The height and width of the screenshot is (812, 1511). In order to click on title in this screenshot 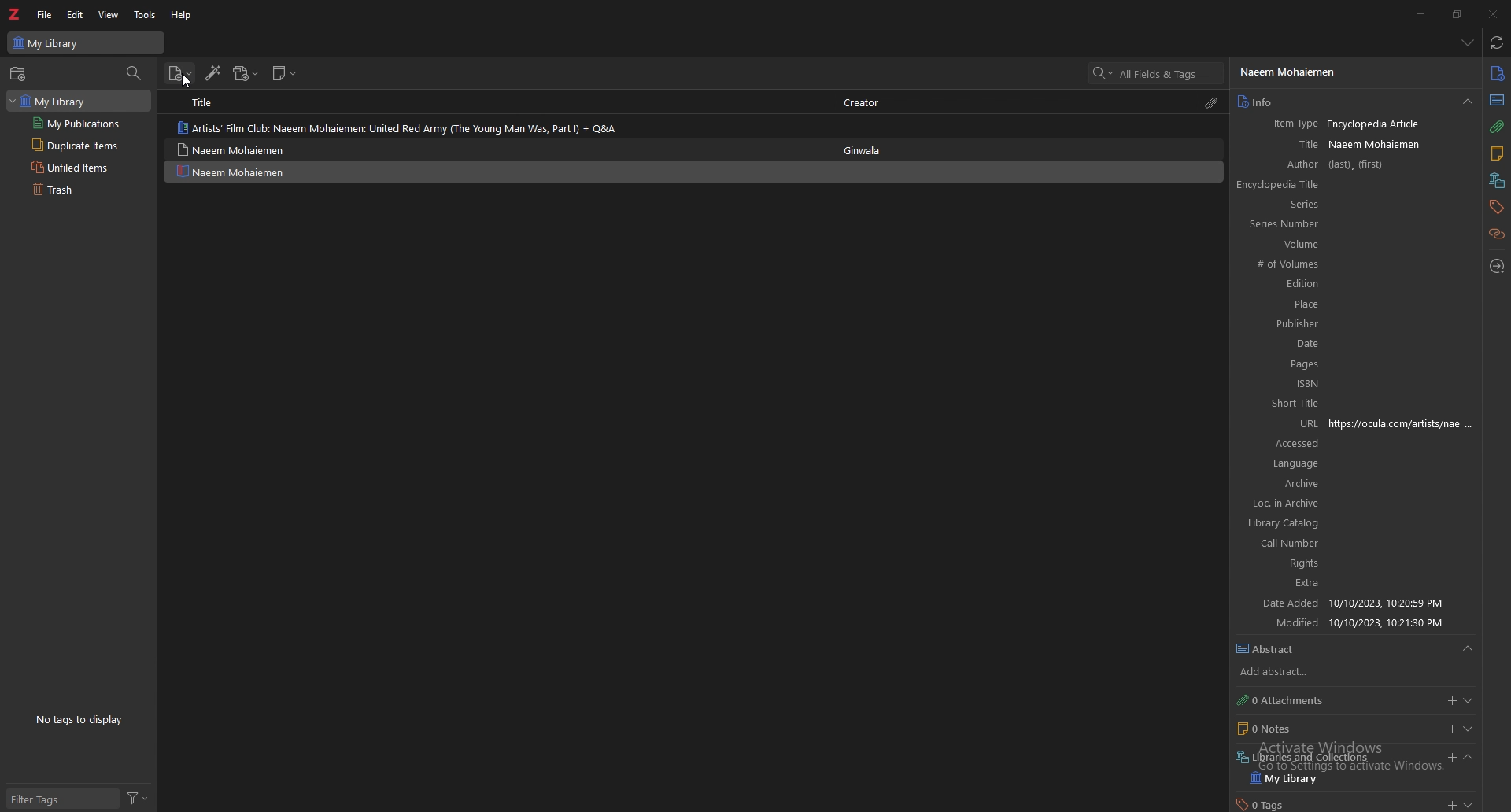, I will do `click(207, 101)`.